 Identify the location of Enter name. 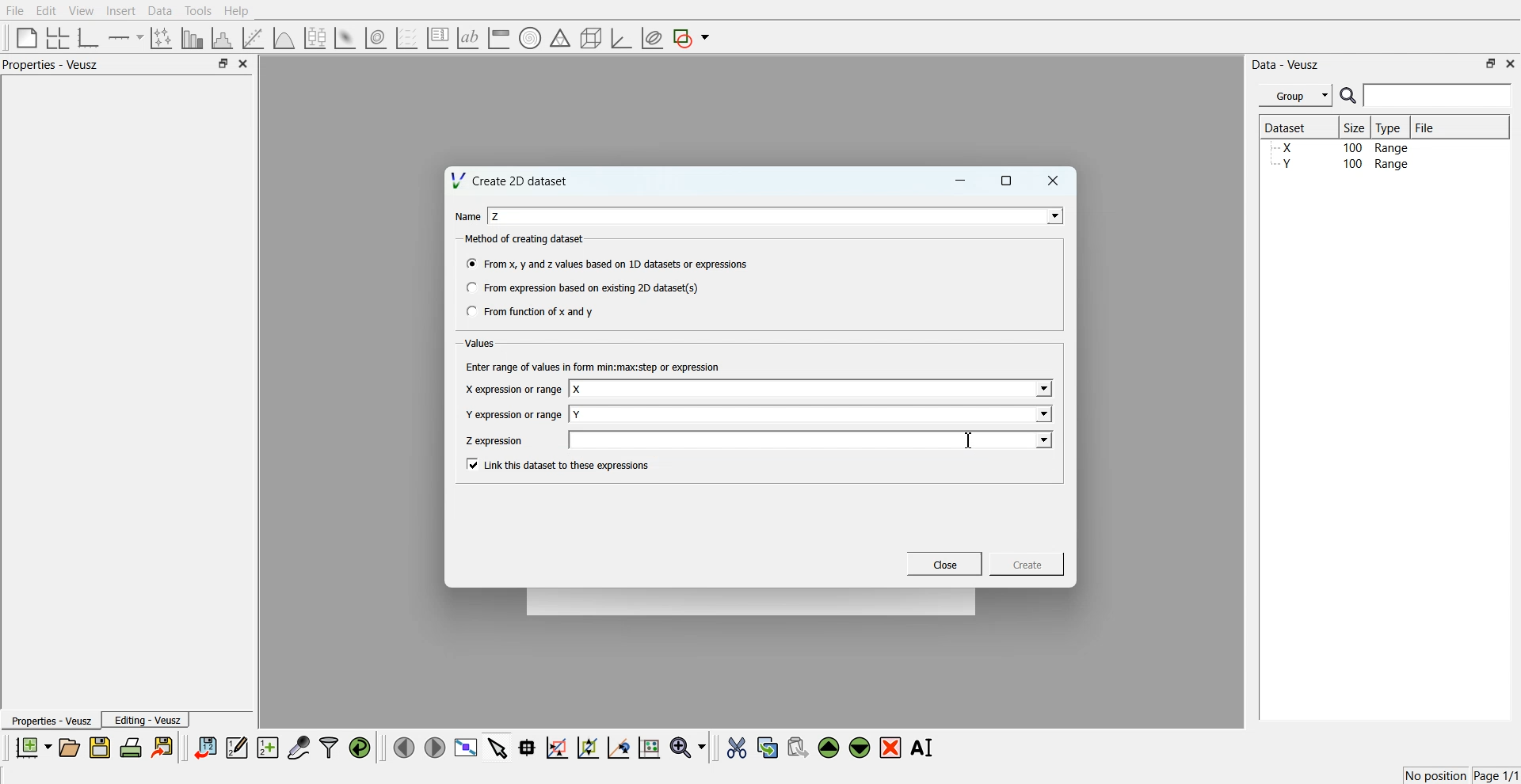
(812, 390).